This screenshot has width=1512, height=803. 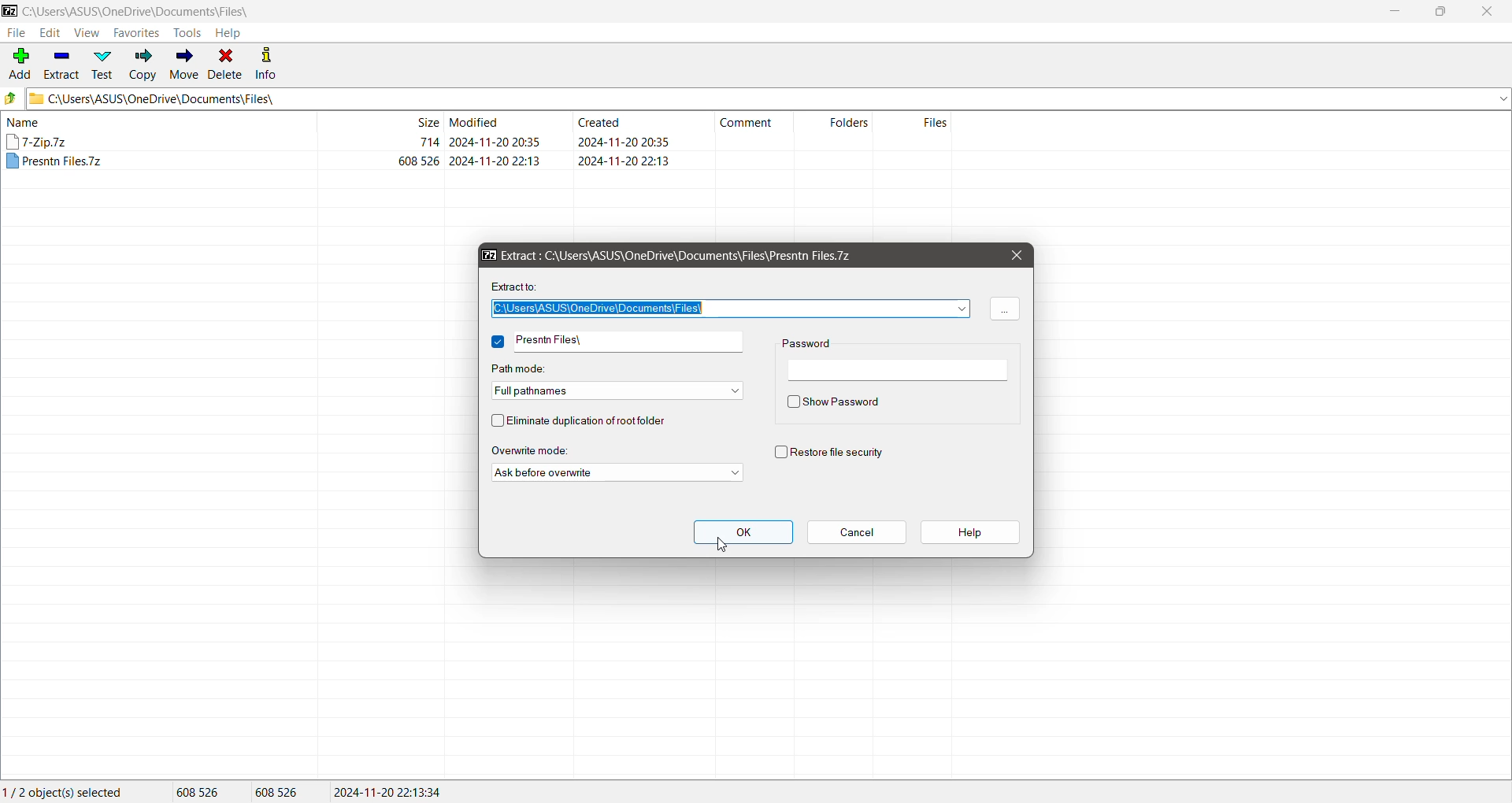 I want to click on Set Password for Extraction, so click(x=901, y=371).